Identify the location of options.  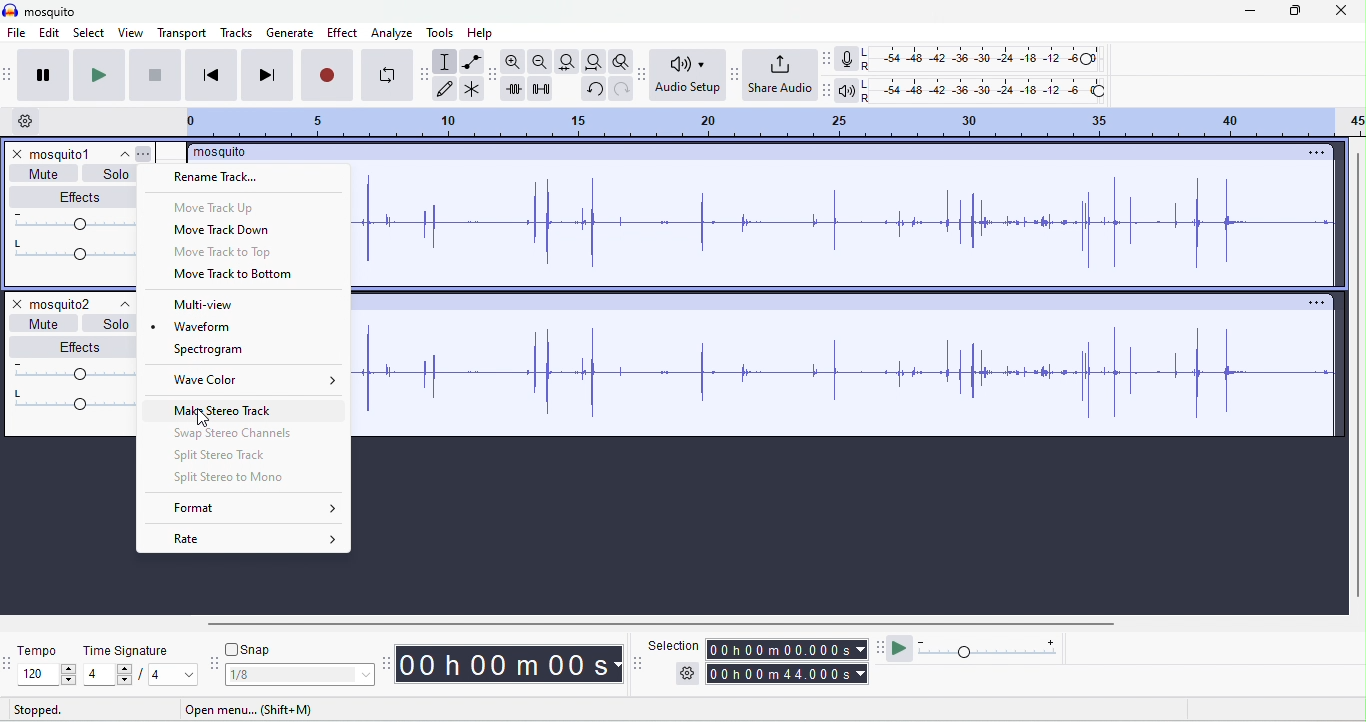
(1316, 151).